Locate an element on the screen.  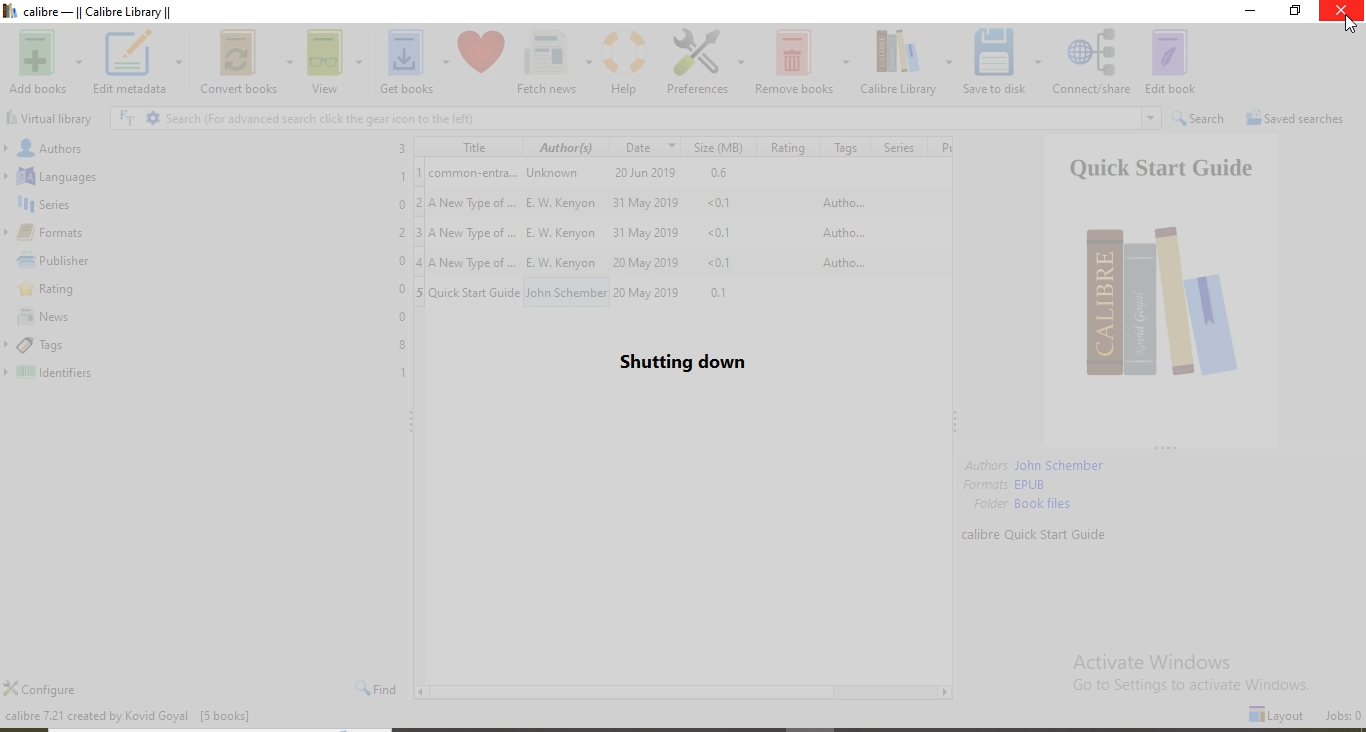
Shutting Down is located at coordinates (684, 362).